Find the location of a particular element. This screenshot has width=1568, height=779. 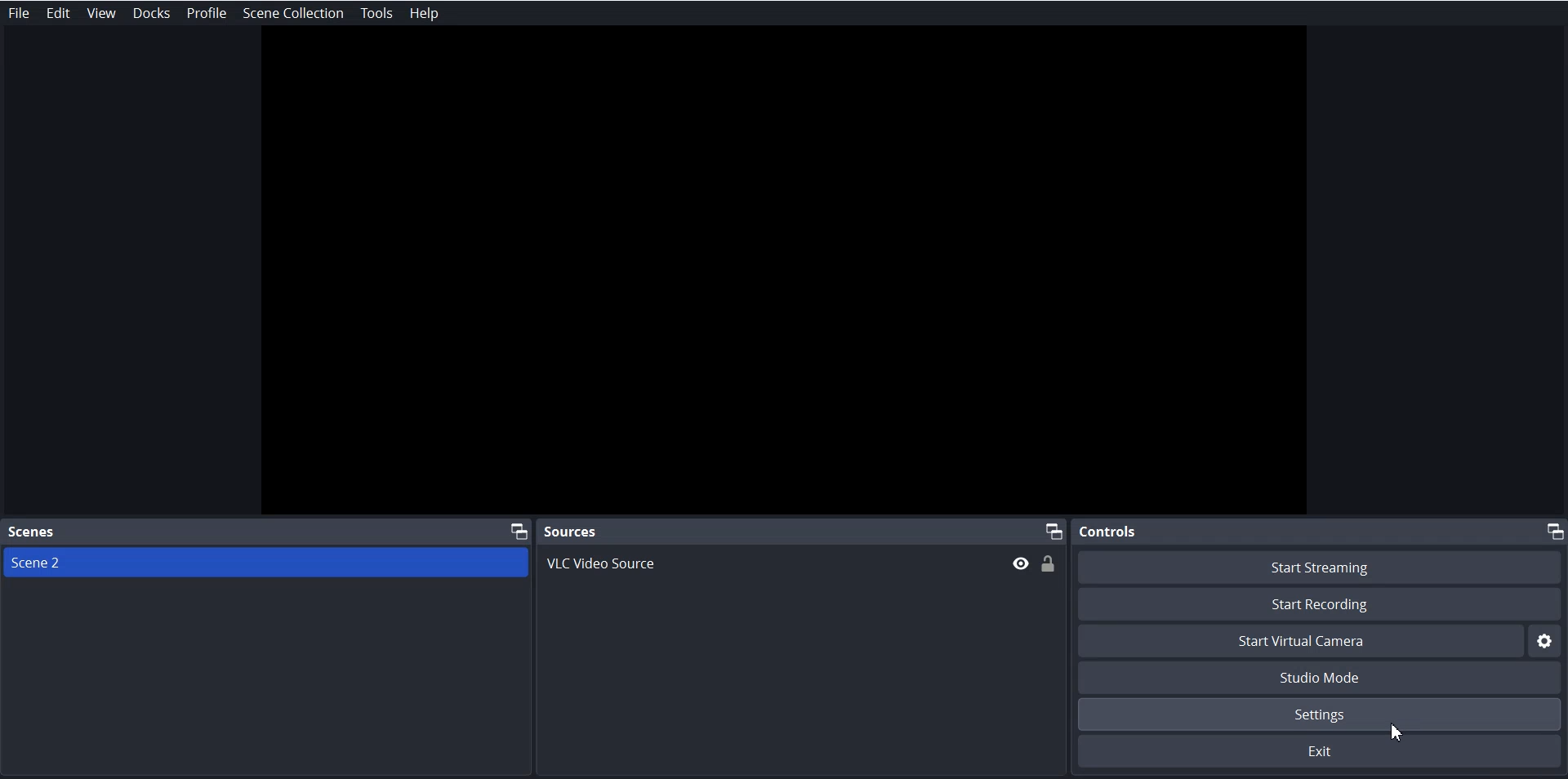

Decks is located at coordinates (152, 13).